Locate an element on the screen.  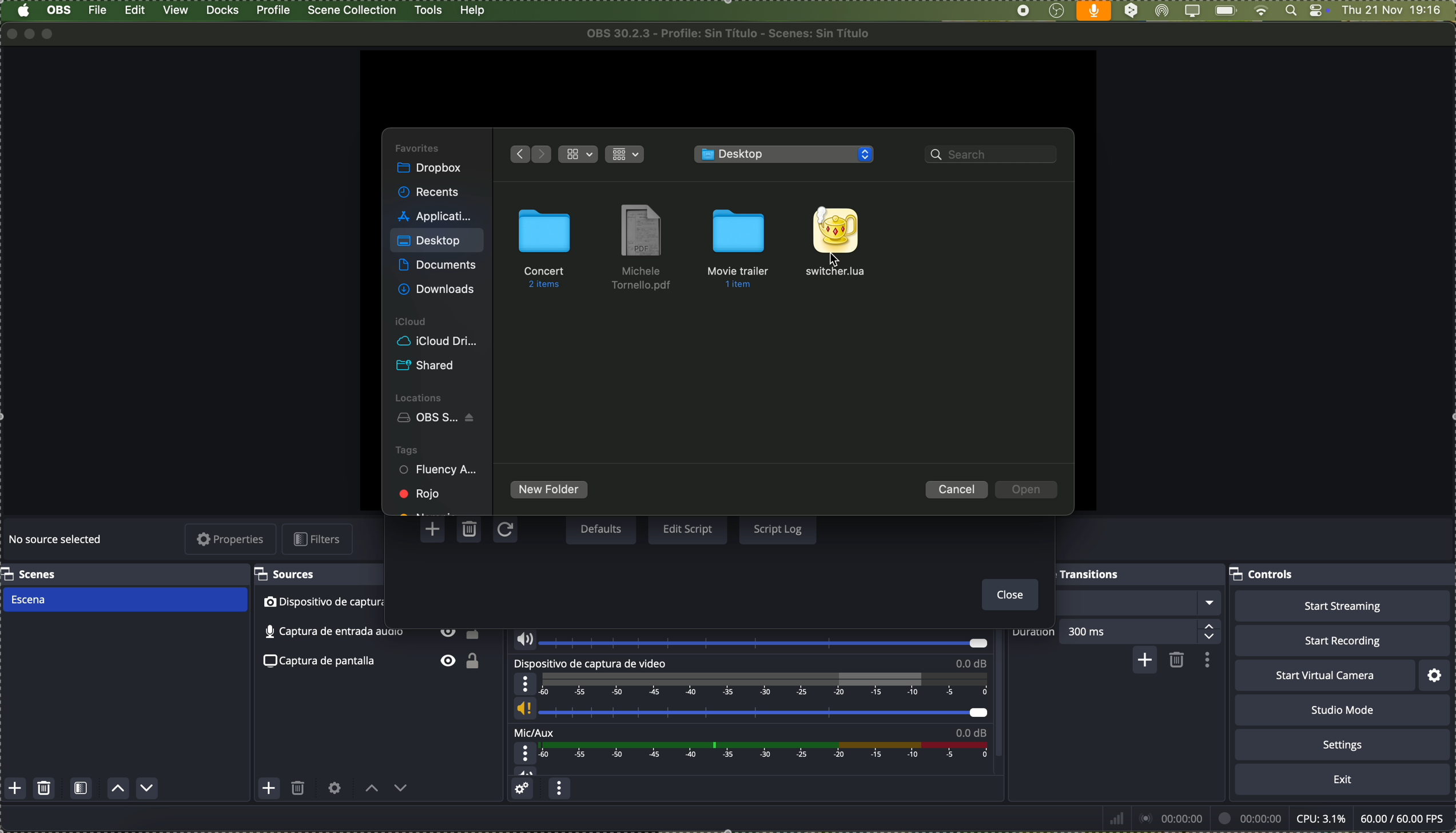
300 ms is located at coordinates (1144, 630).